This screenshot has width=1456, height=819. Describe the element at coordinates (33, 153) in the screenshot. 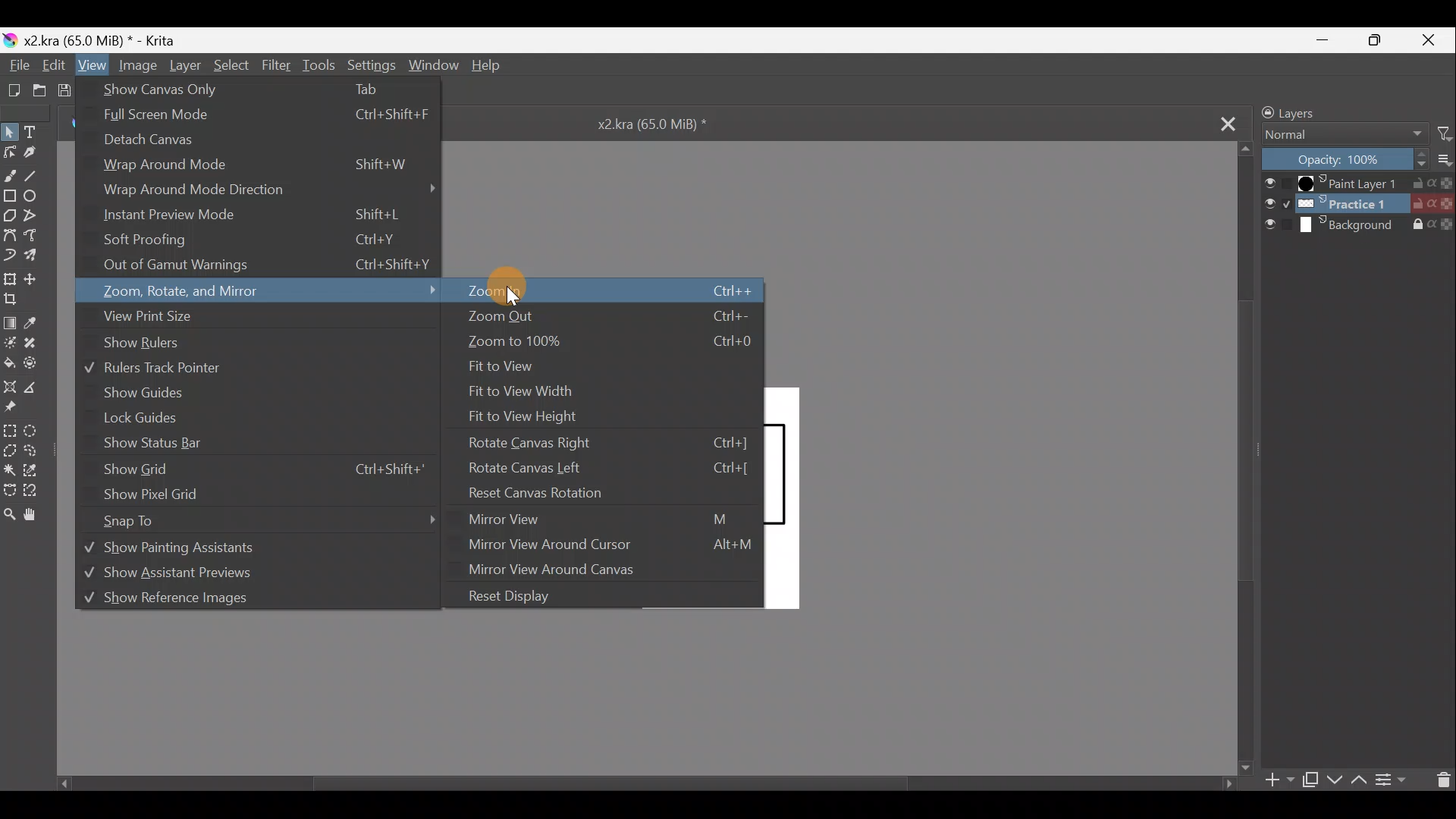

I see `Calligraphy` at that location.